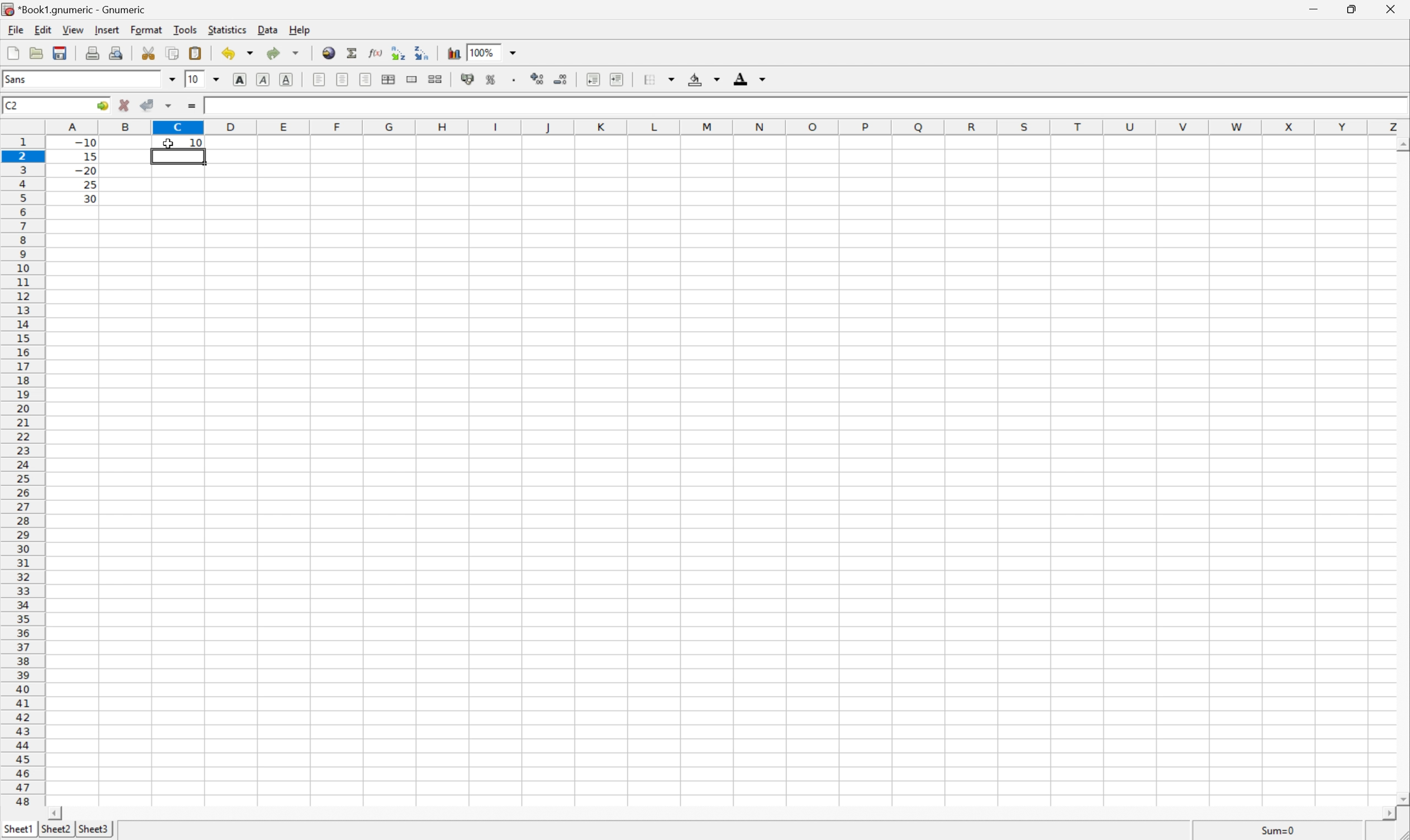 The height and width of the screenshot is (840, 1410). Describe the element at coordinates (353, 53) in the screenshot. I see `Sum into the current cell` at that location.